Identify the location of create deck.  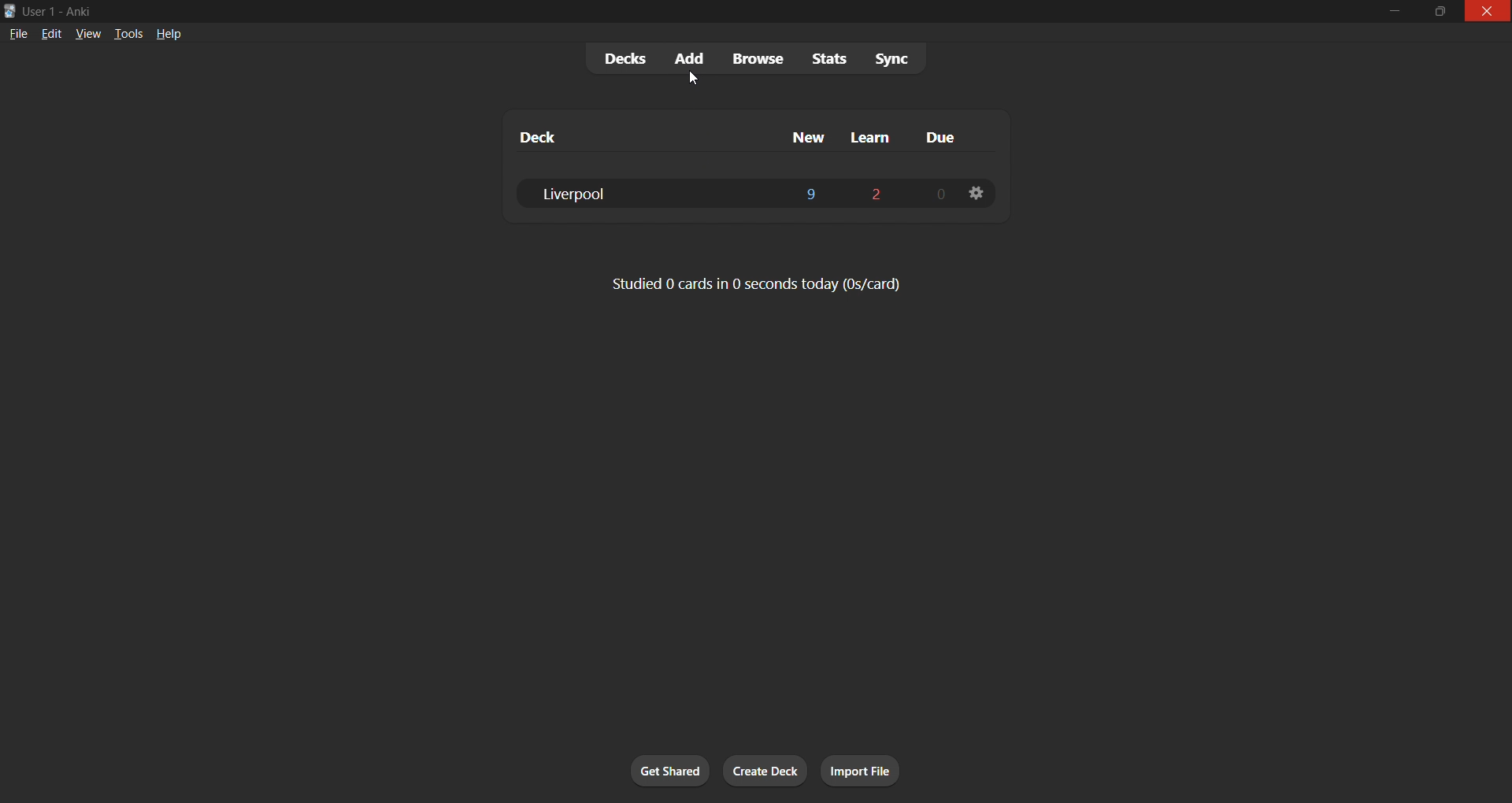
(765, 774).